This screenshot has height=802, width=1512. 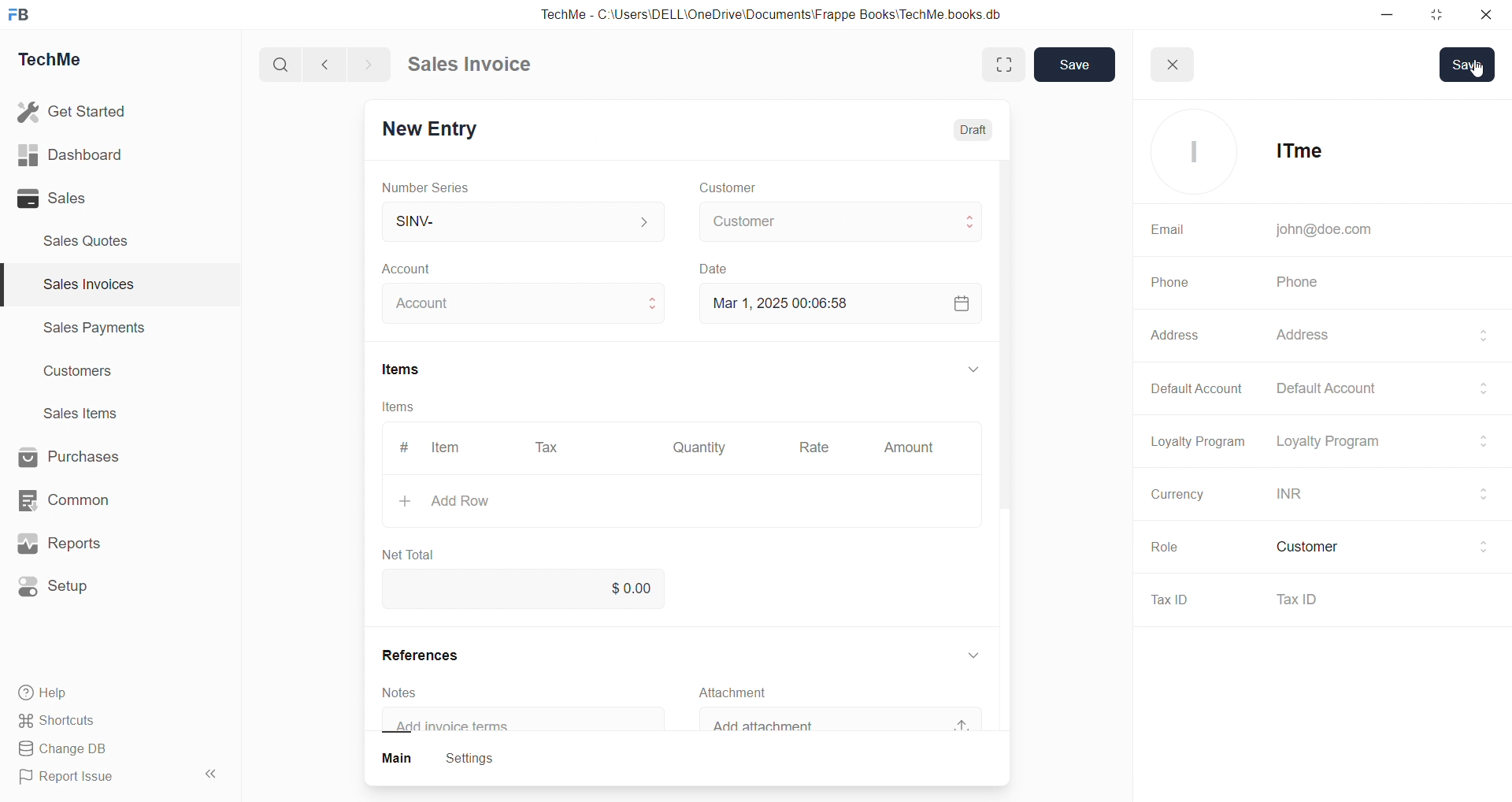 I want to click on Default Account, so click(x=1188, y=387).